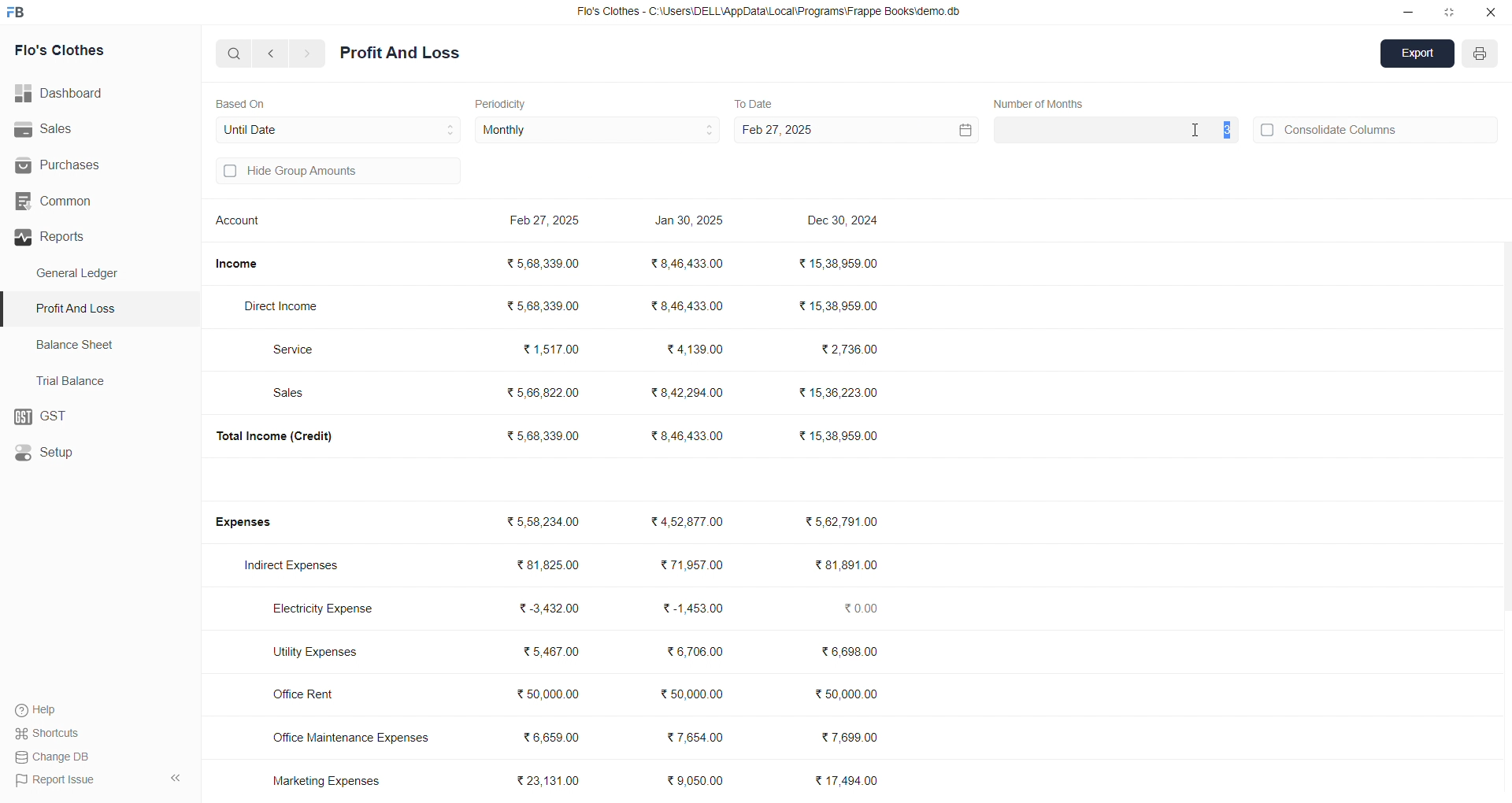 The image size is (1512, 803). I want to click on ₹ 81,825.00, so click(548, 565).